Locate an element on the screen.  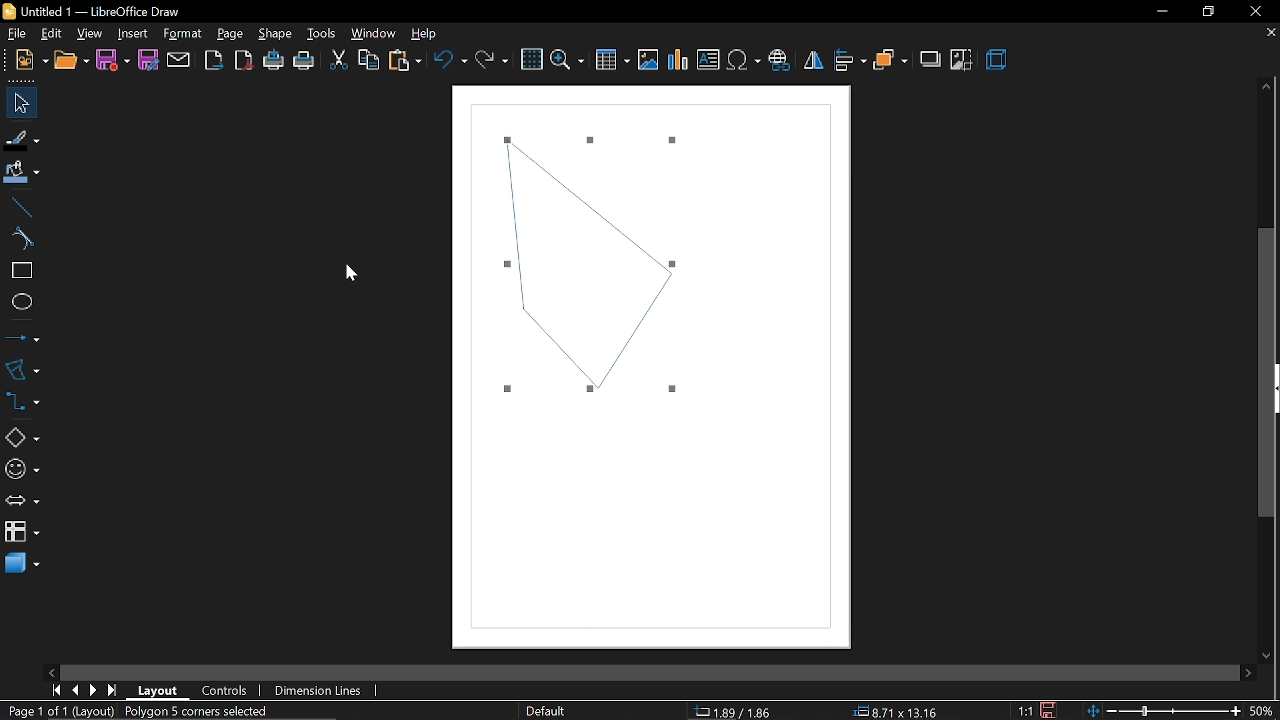
insert table is located at coordinates (612, 59).